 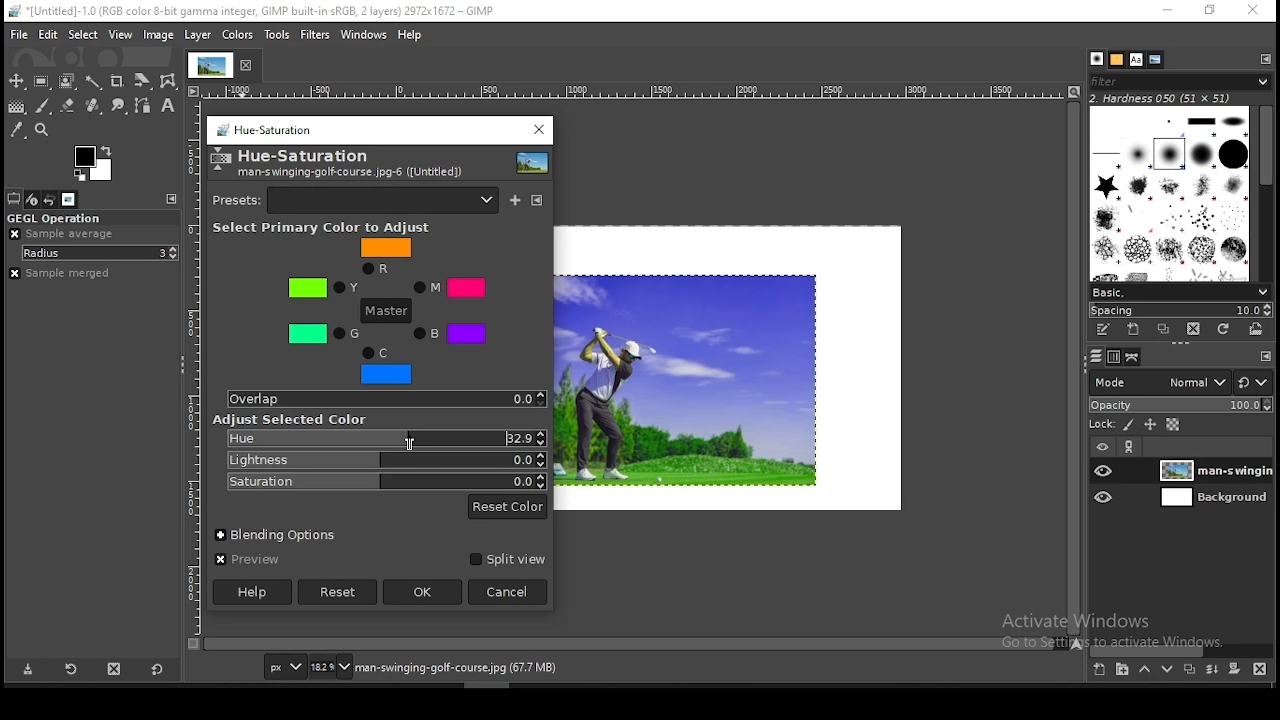 I want to click on delete brush, so click(x=1192, y=329).